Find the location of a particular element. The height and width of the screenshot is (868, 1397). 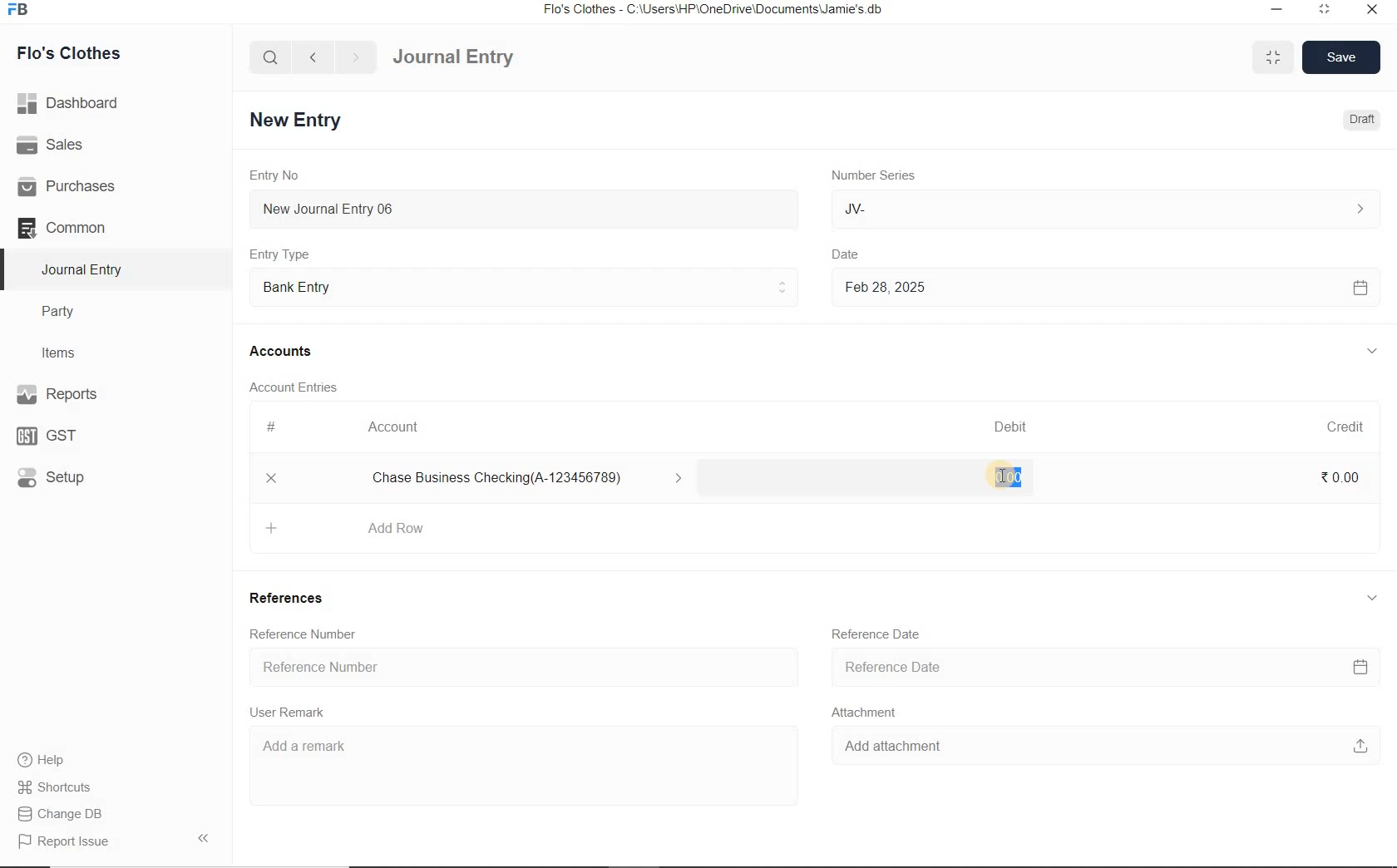

minimize is located at coordinates (1275, 8).